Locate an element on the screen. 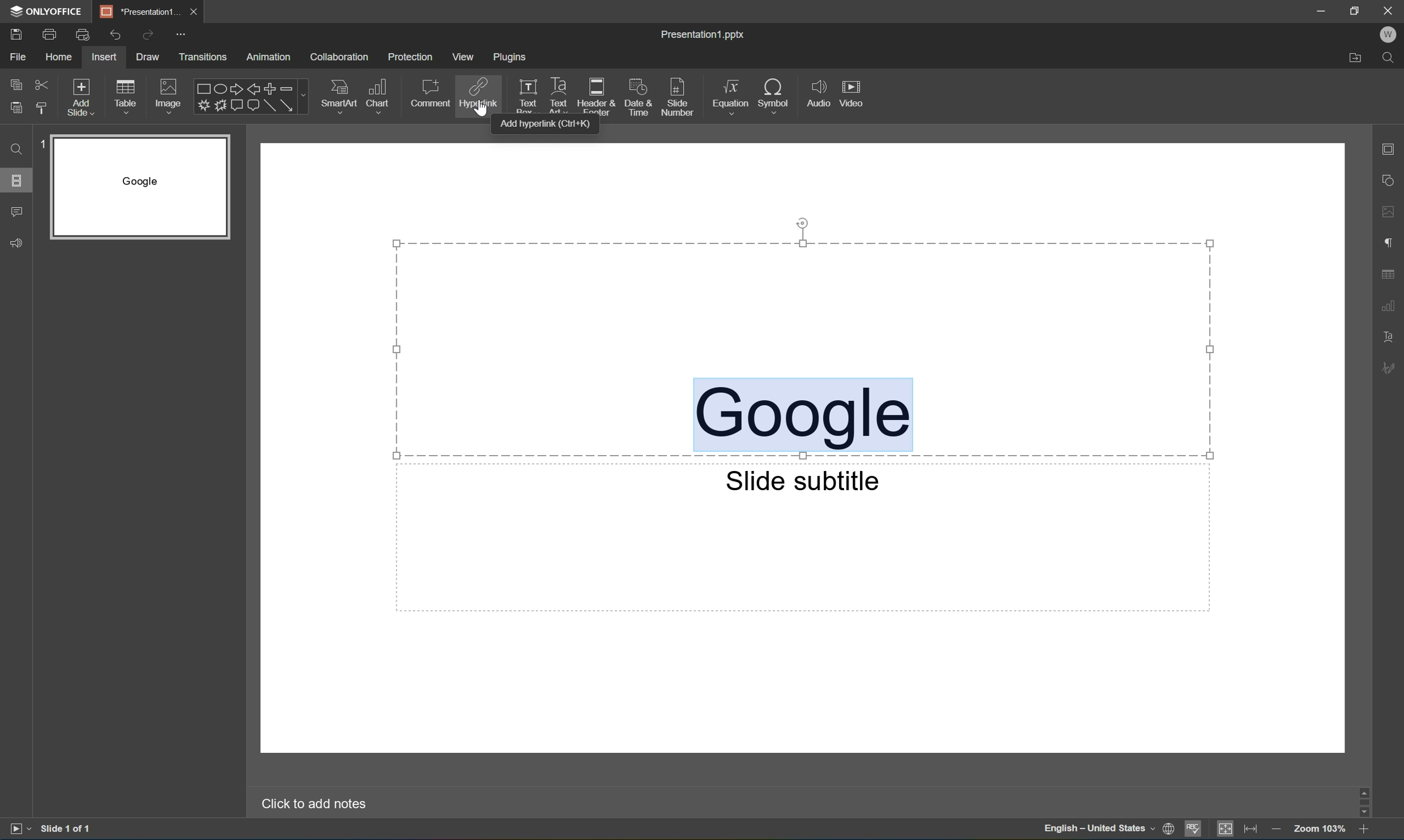 The height and width of the screenshot is (840, 1404). Paste is located at coordinates (16, 108).